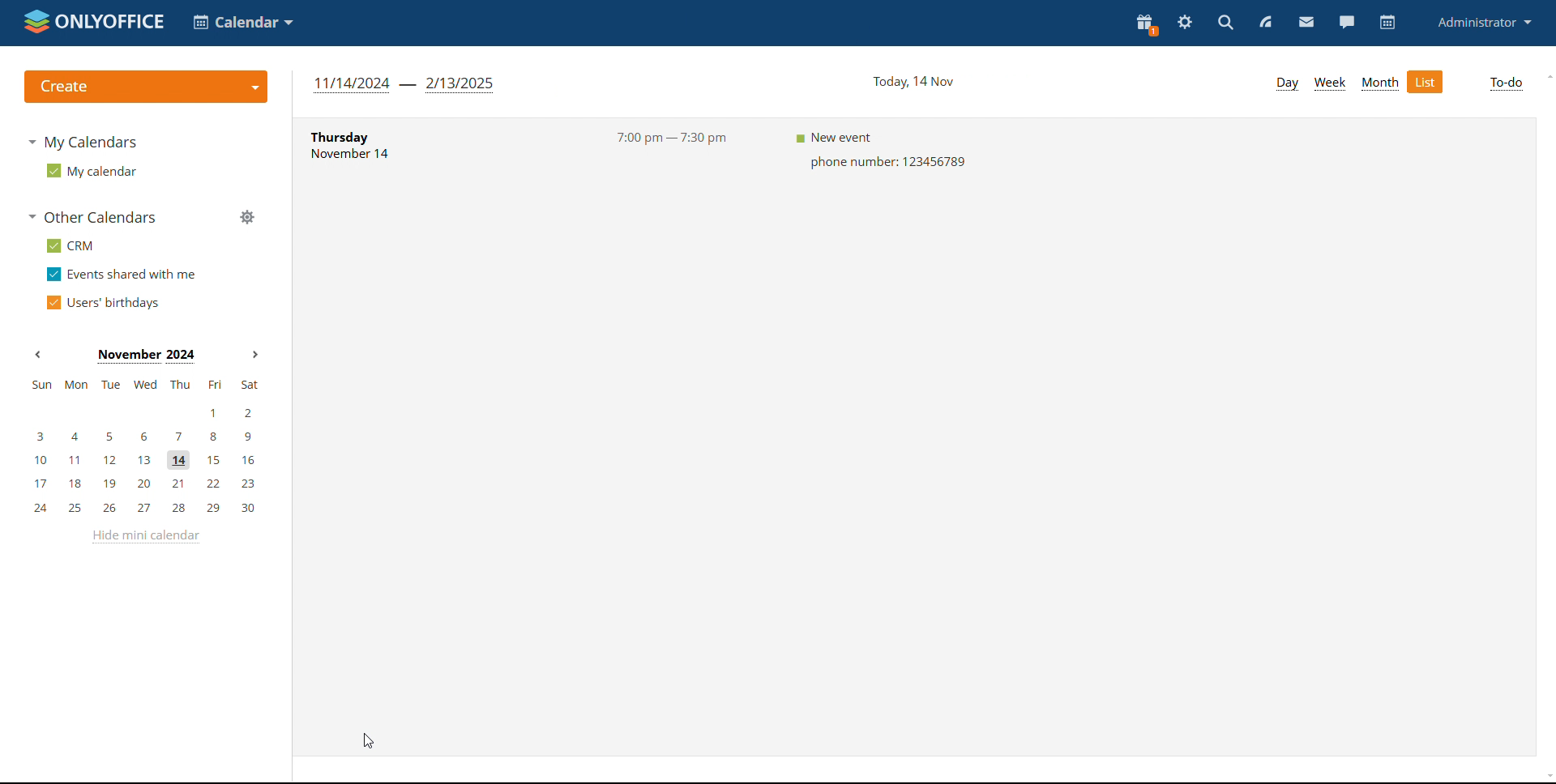 This screenshot has height=784, width=1556. I want to click on logo, so click(94, 23).